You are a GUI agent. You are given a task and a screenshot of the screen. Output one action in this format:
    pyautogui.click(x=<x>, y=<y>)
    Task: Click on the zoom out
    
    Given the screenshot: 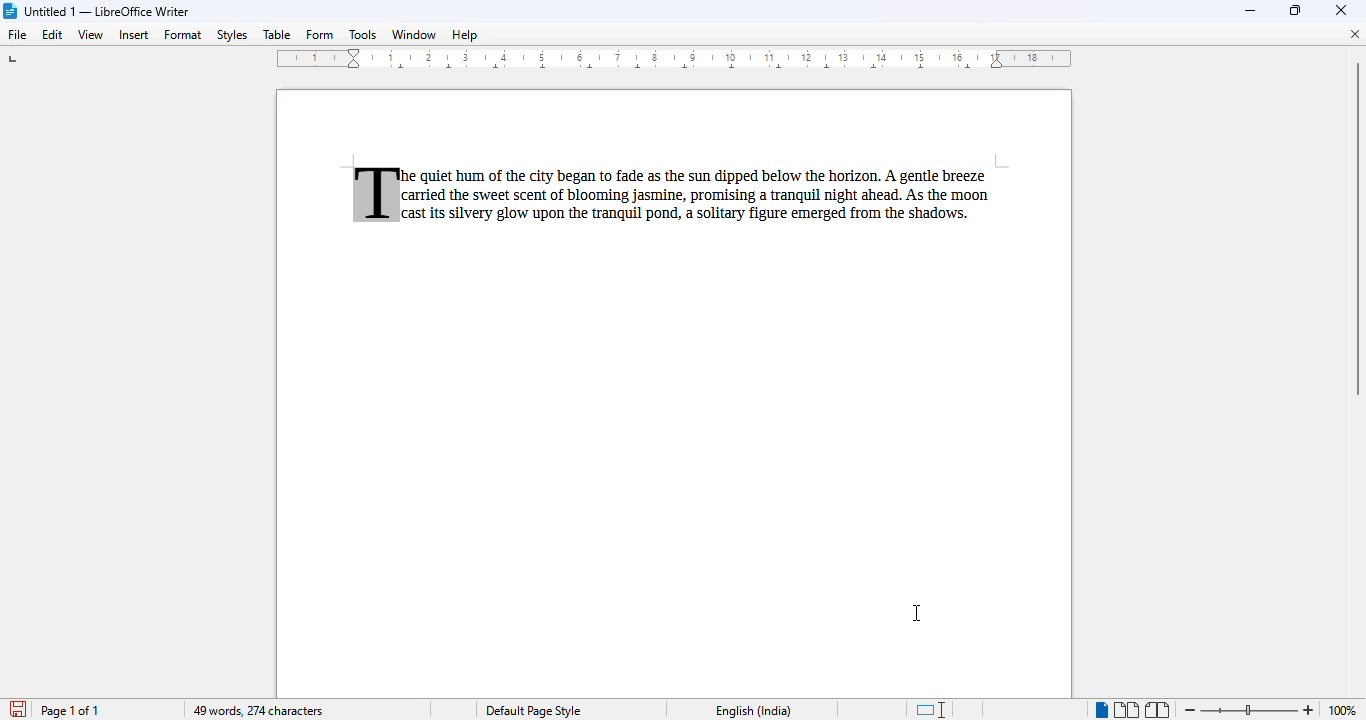 What is the action you would take?
    pyautogui.click(x=1192, y=710)
    